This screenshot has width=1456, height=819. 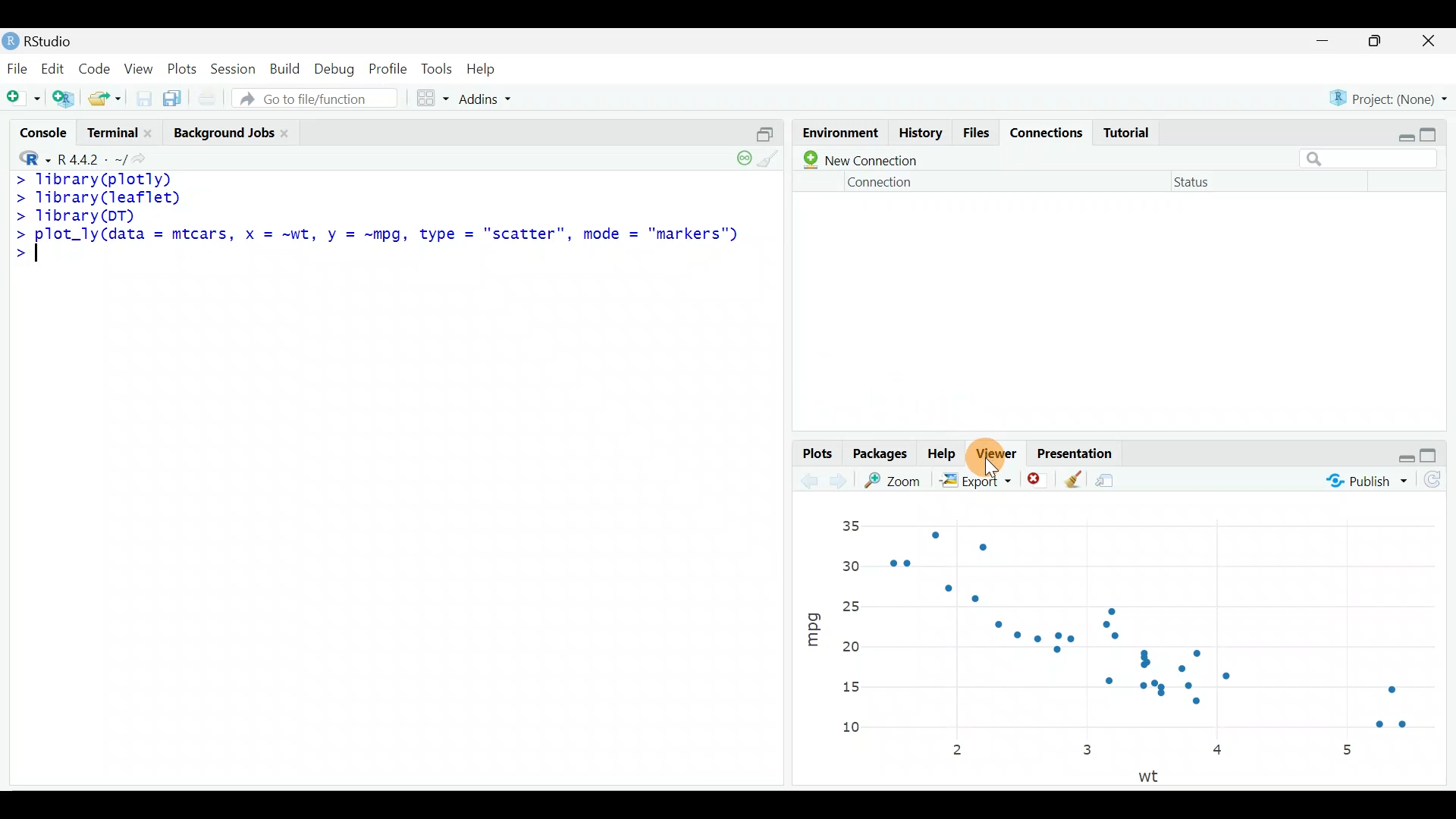 What do you see at coordinates (42, 41) in the screenshot?
I see `RStudio` at bounding box center [42, 41].